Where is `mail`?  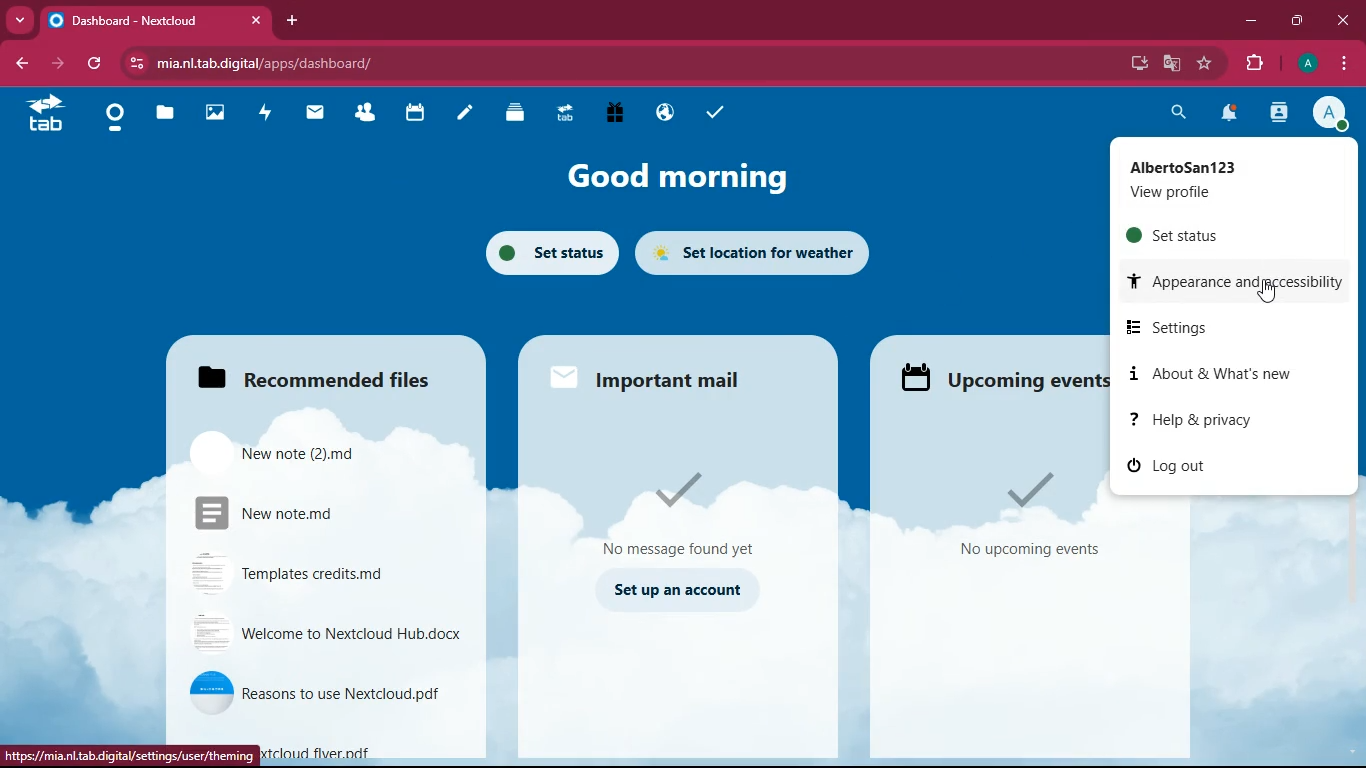
mail is located at coordinates (320, 115).